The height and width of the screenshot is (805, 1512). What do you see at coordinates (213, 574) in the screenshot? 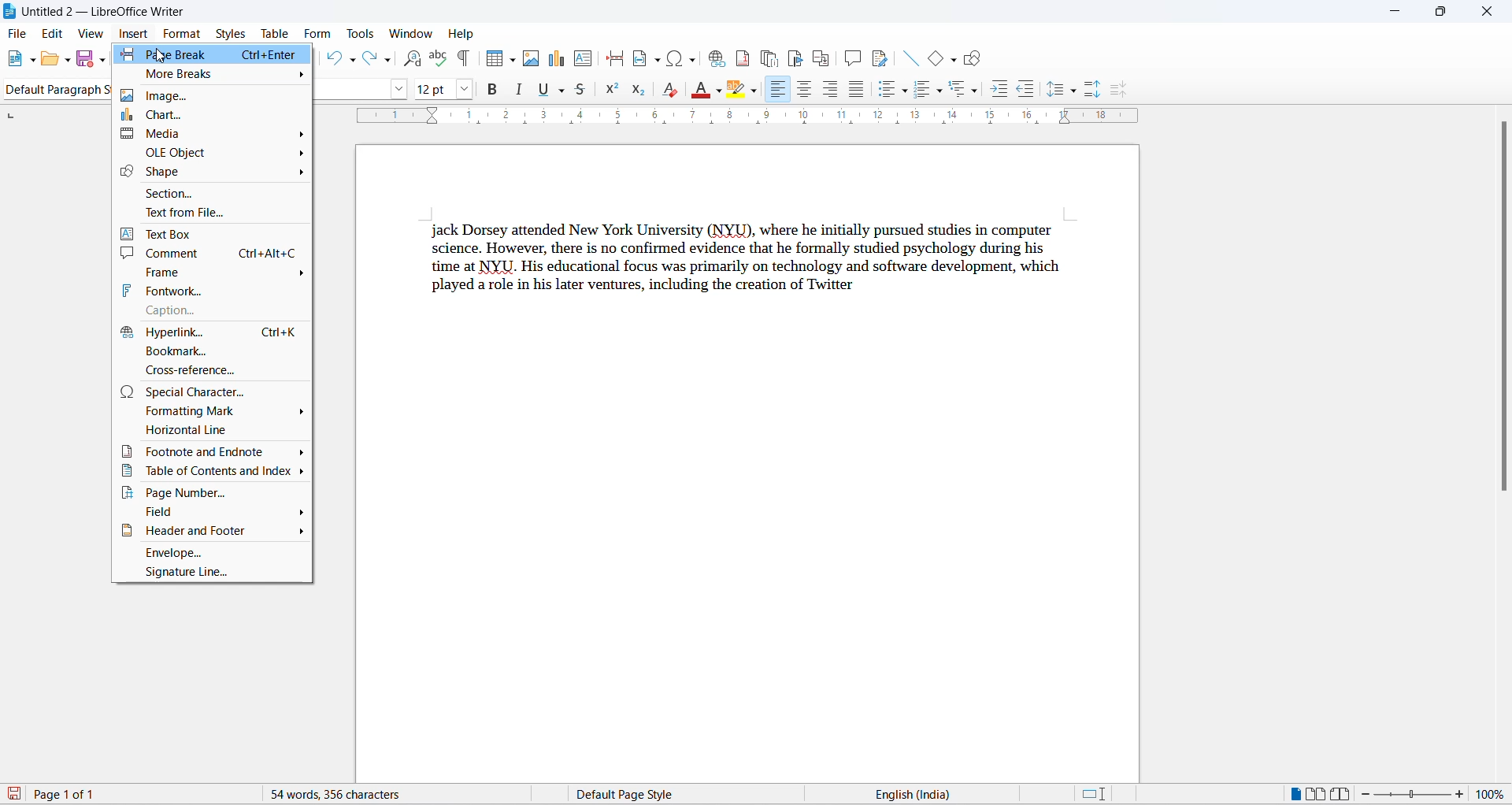
I see `signature line` at bounding box center [213, 574].